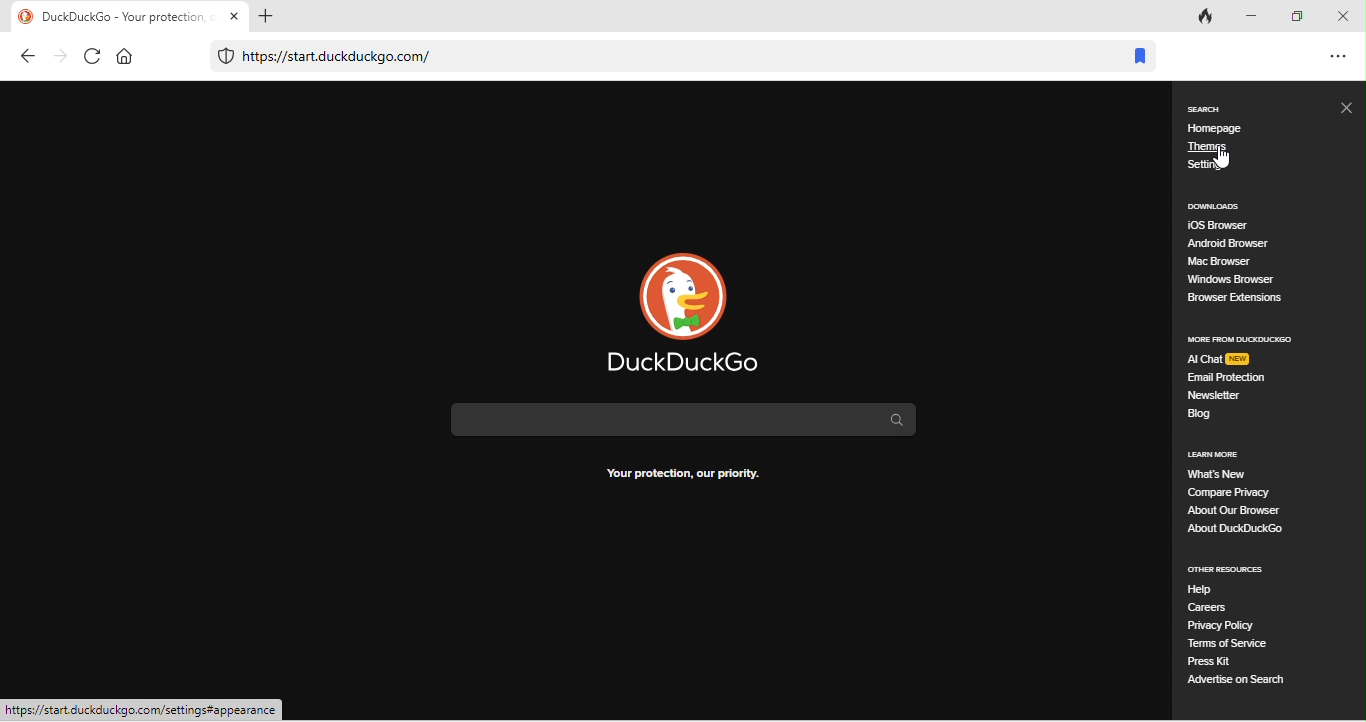  Describe the element at coordinates (658, 58) in the screenshot. I see `web link` at that location.